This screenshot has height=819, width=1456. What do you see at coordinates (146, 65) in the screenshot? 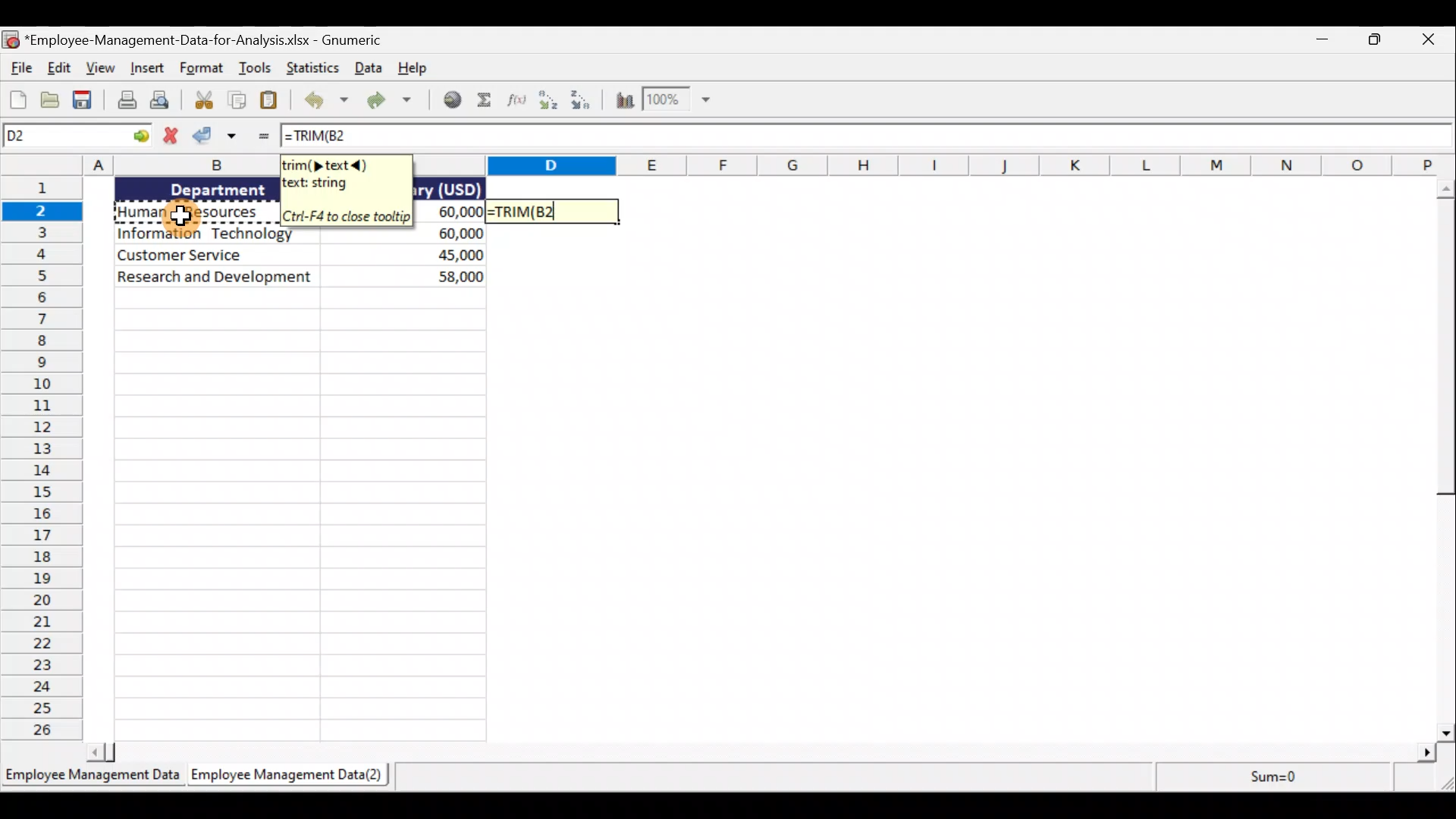
I see `Insert` at bounding box center [146, 65].